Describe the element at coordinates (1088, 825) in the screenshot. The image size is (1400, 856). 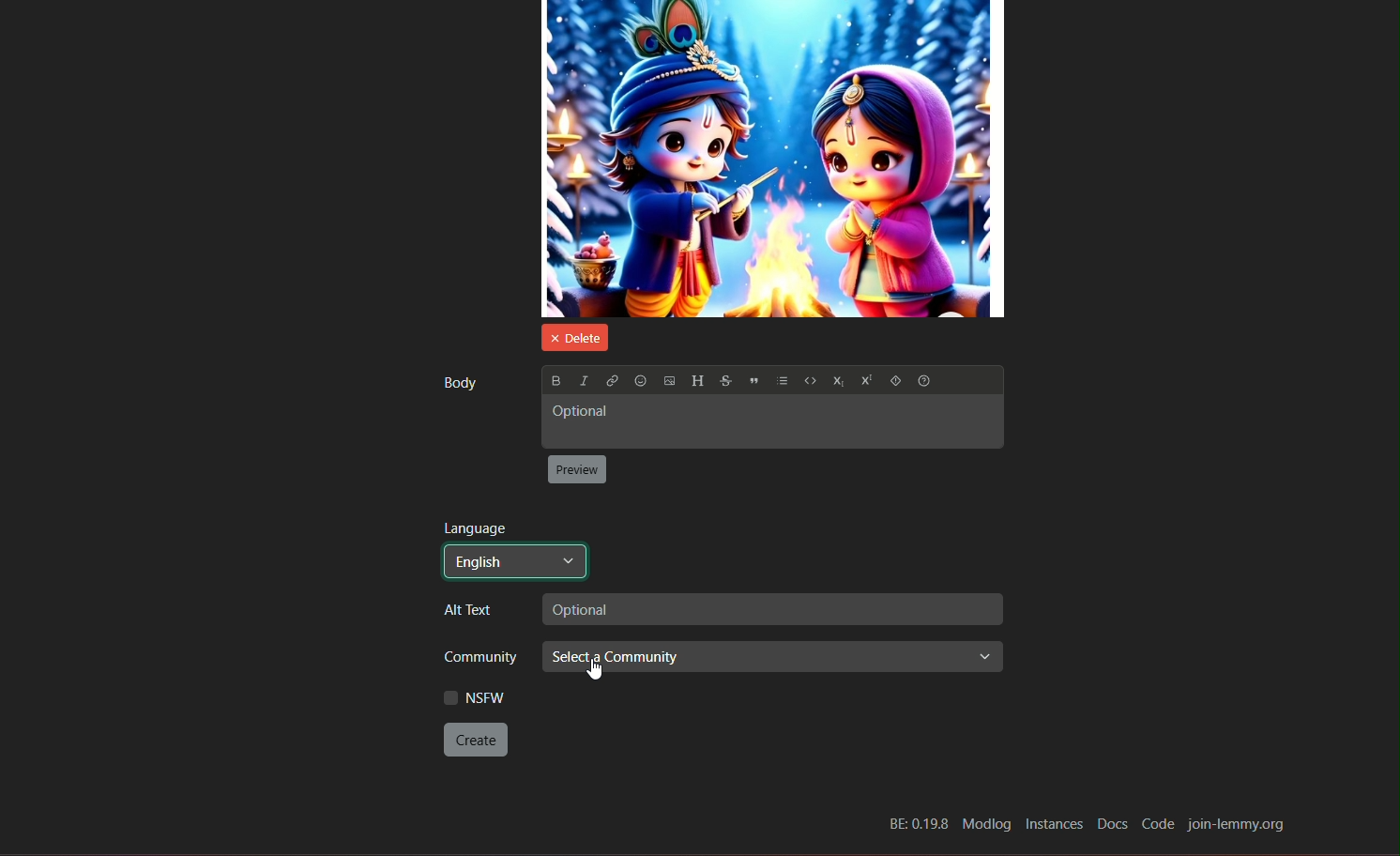
I see `BE:0.198 Modiog Instances Docs Code join-lemmy.org` at that location.